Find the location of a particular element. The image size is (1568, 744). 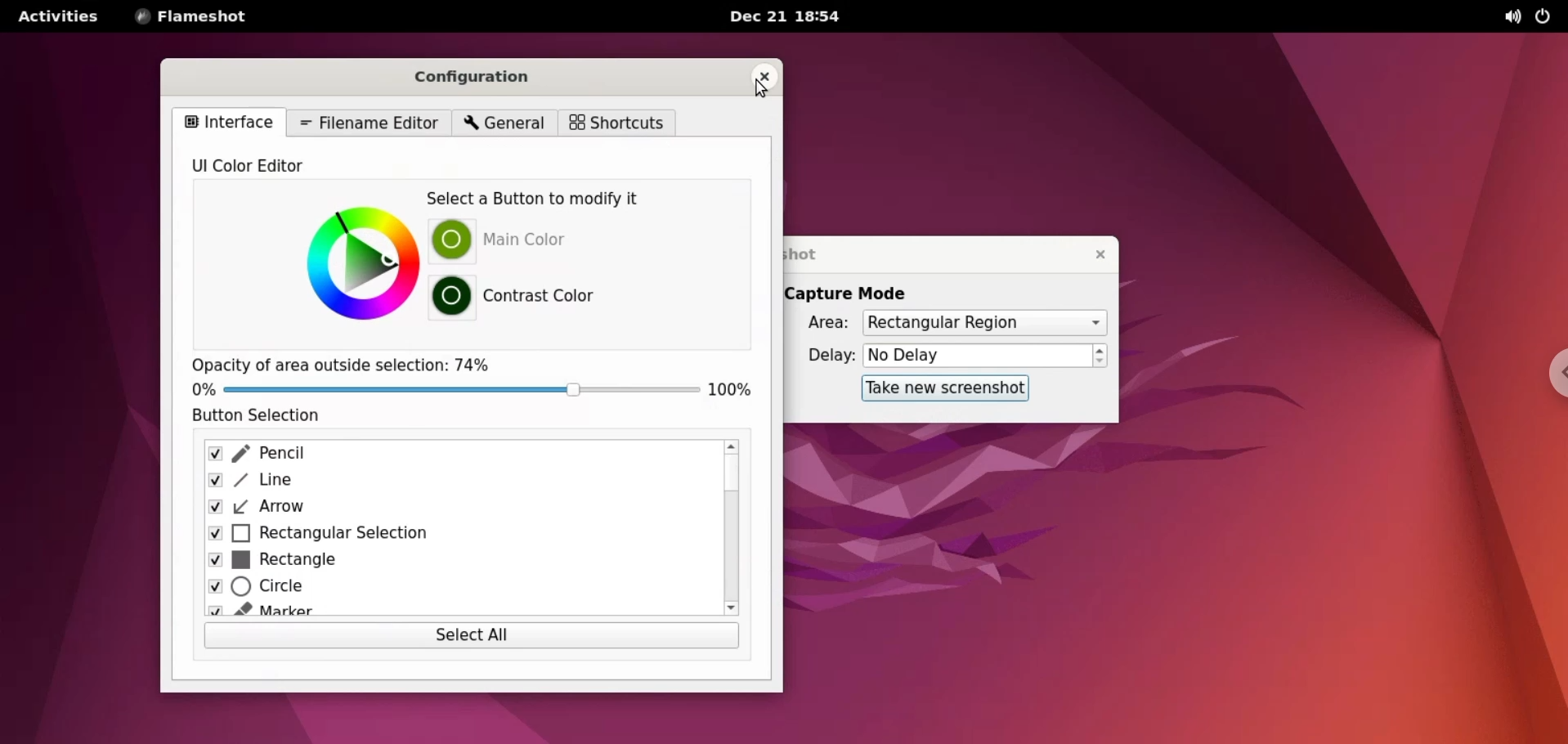

line checkbox is located at coordinates (452, 482).